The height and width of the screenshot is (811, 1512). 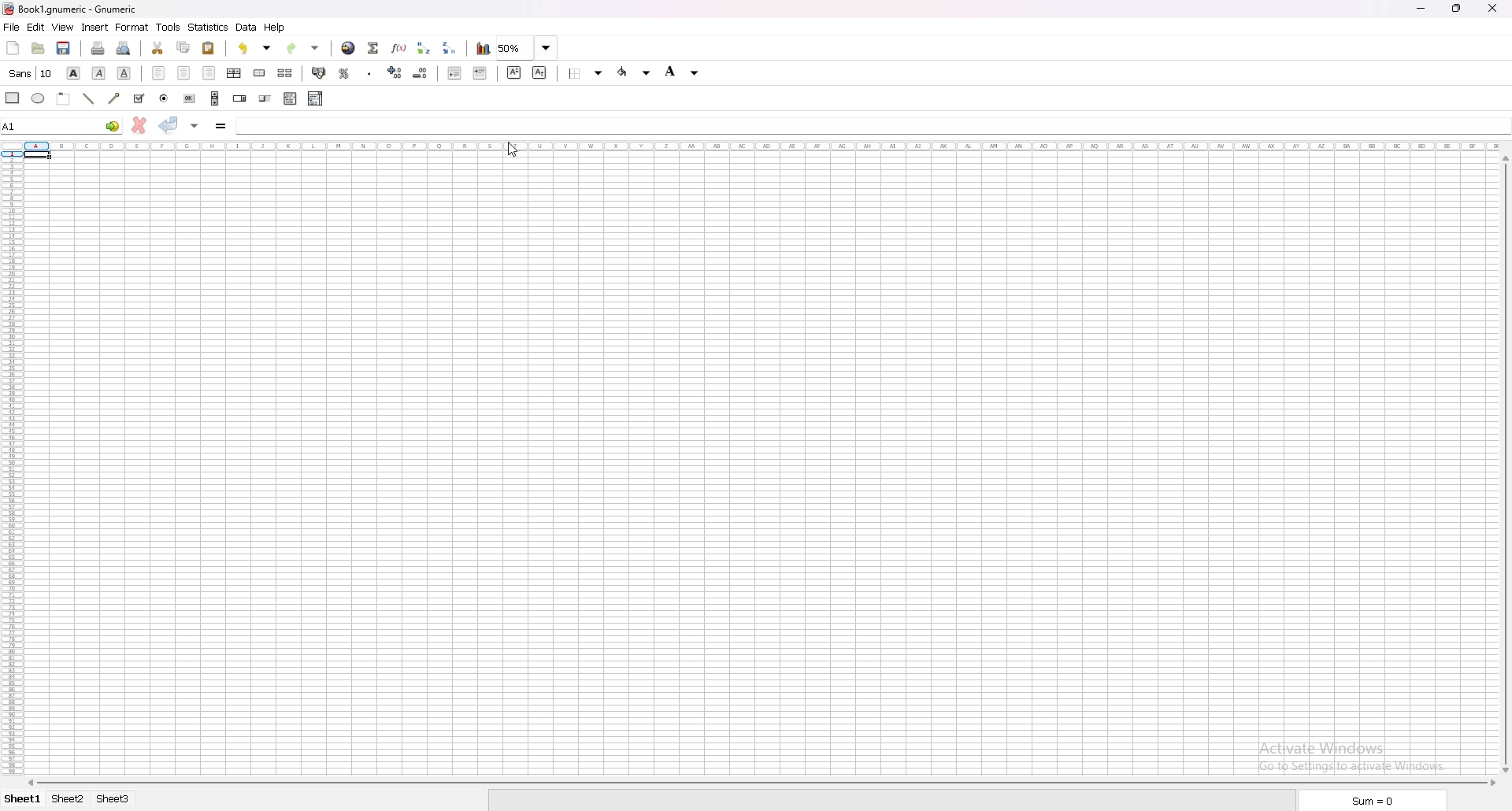 What do you see at coordinates (398, 48) in the screenshot?
I see `function` at bounding box center [398, 48].